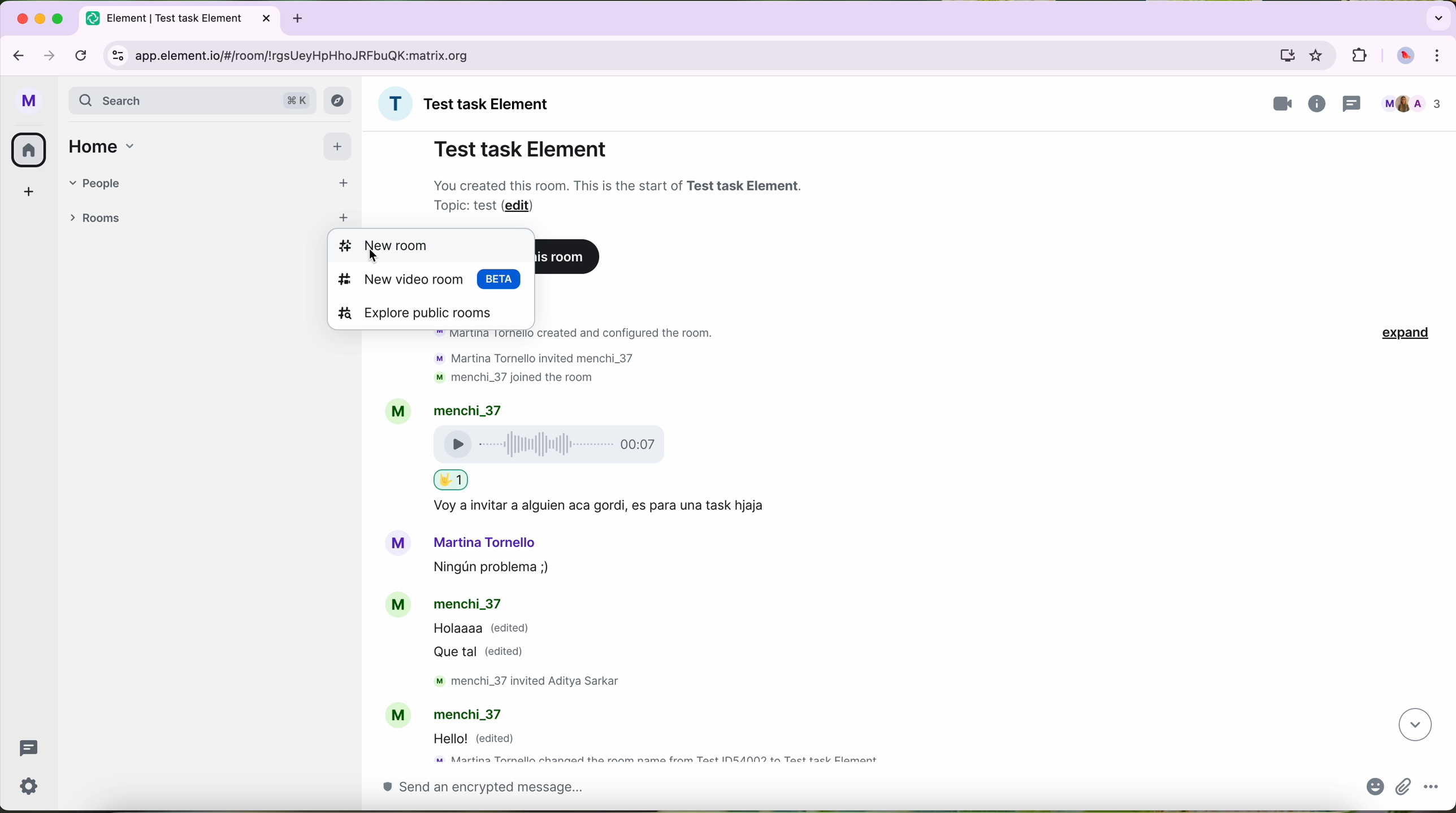 The height and width of the screenshot is (813, 1456). I want to click on text, so click(543, 681).